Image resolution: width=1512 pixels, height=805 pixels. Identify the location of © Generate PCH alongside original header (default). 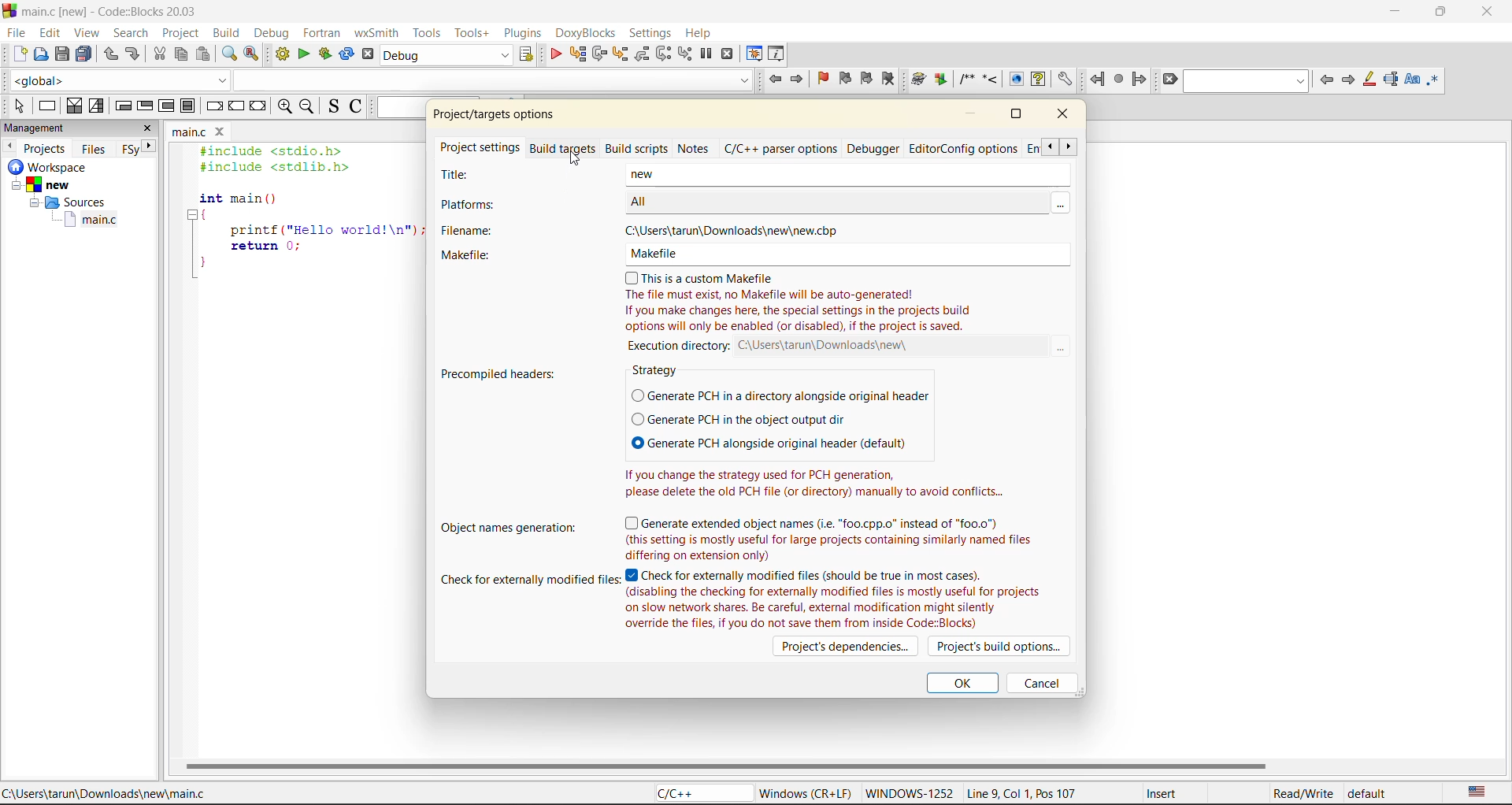
(773, 443).